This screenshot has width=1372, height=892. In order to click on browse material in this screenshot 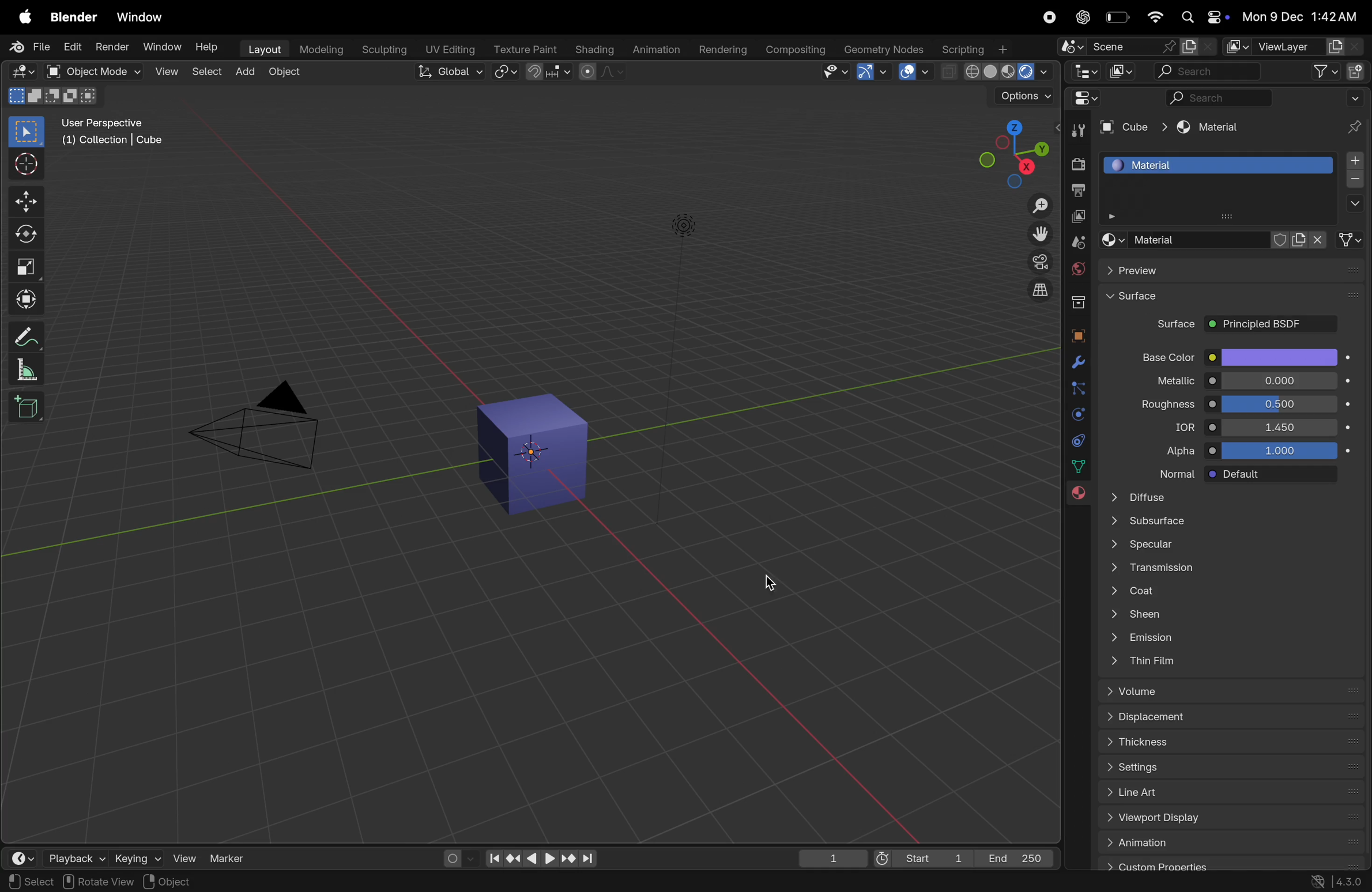, I will do `click(1111, 240)`.